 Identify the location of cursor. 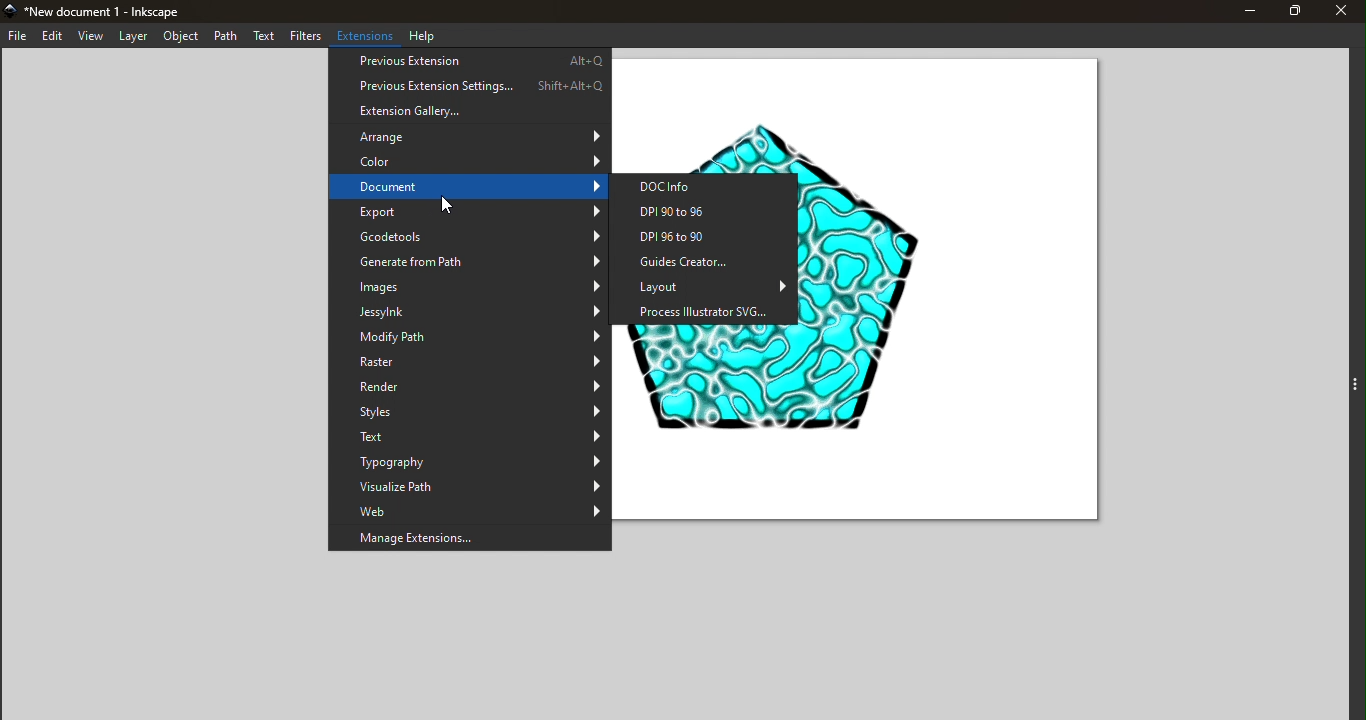
(444, 204).